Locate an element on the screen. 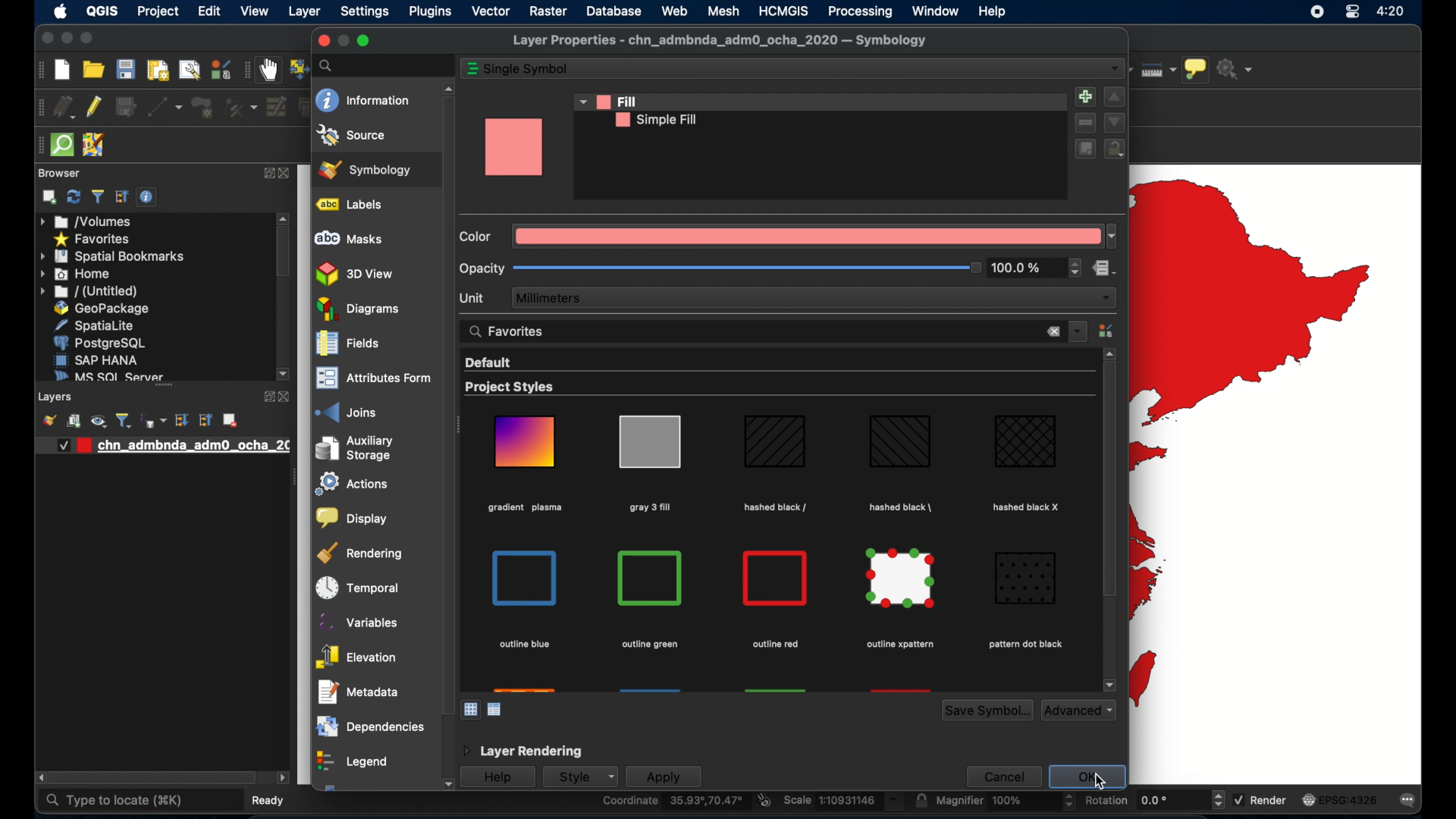 The width and height of the screenshot is (1456, 819). render is located at coordinates (1260, 799).